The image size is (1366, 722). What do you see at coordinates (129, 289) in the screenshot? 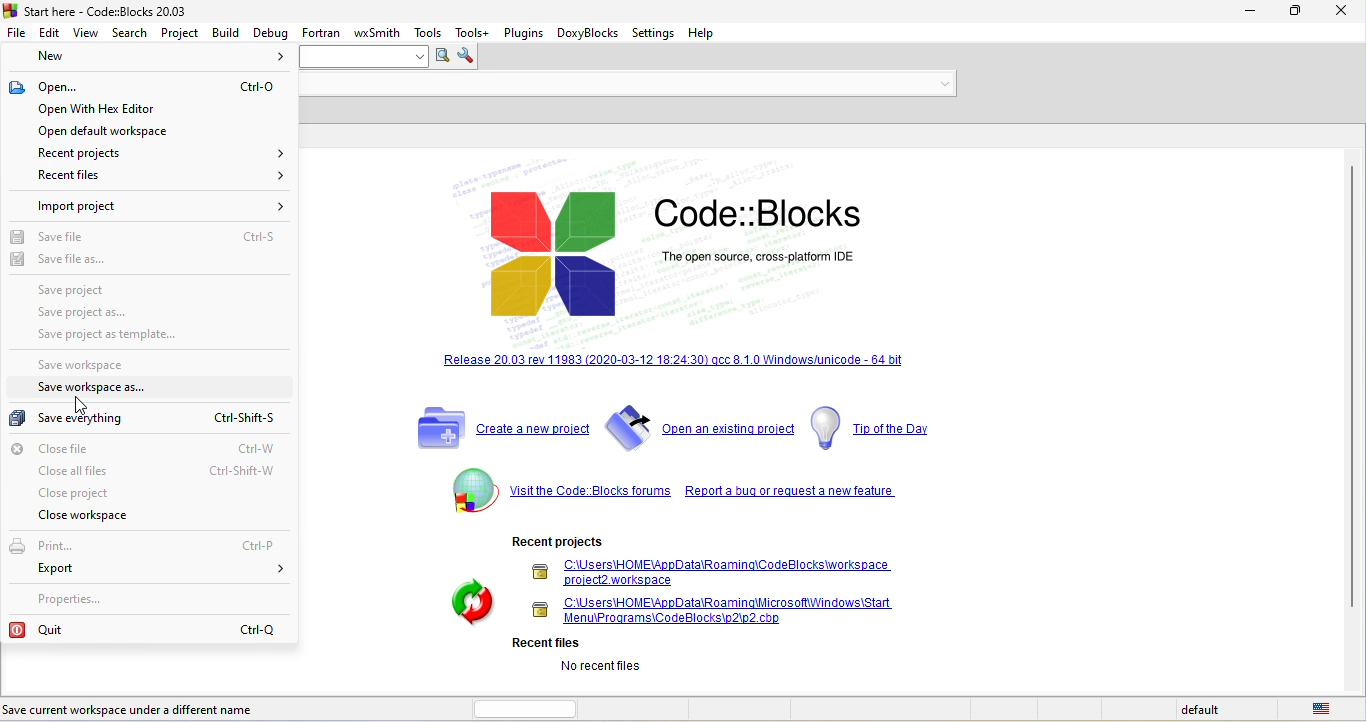
I see `save project` at bounding box center [129, 289].